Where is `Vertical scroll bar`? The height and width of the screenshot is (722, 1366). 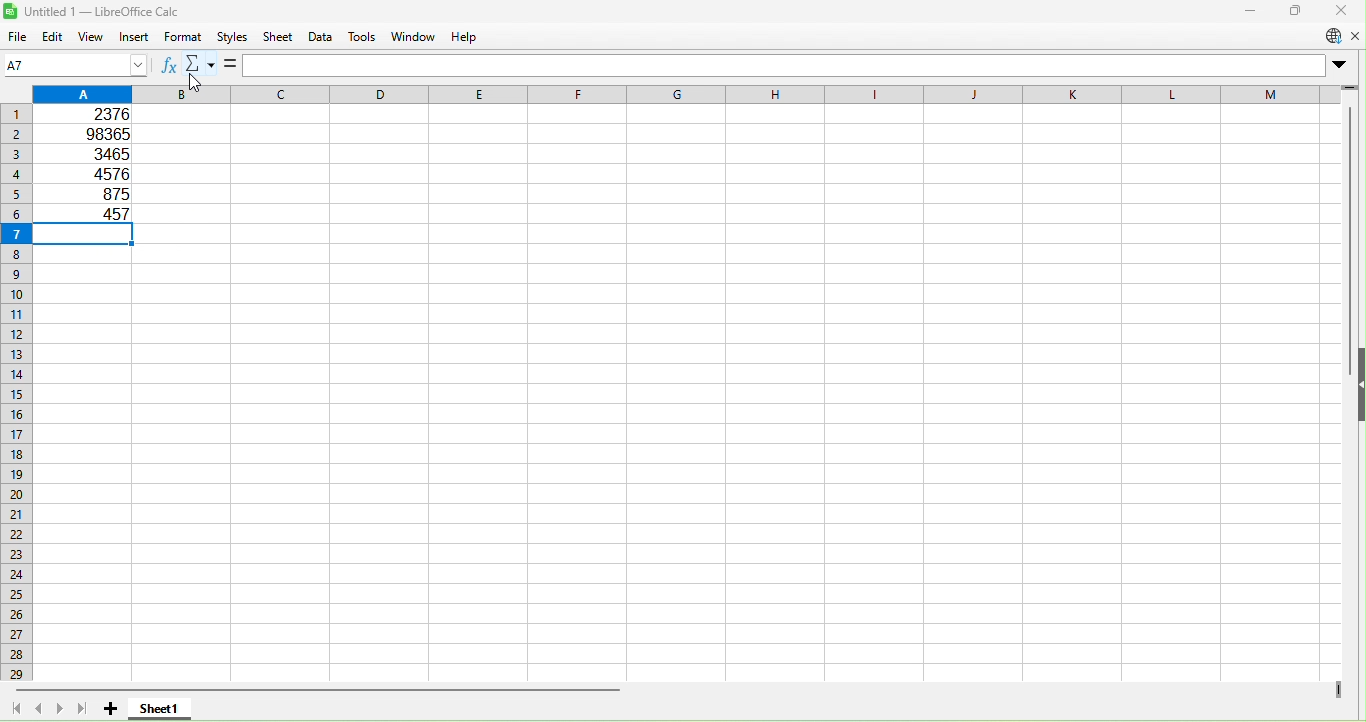
Vertical scroll bar is located at coordinates (1352, 557).